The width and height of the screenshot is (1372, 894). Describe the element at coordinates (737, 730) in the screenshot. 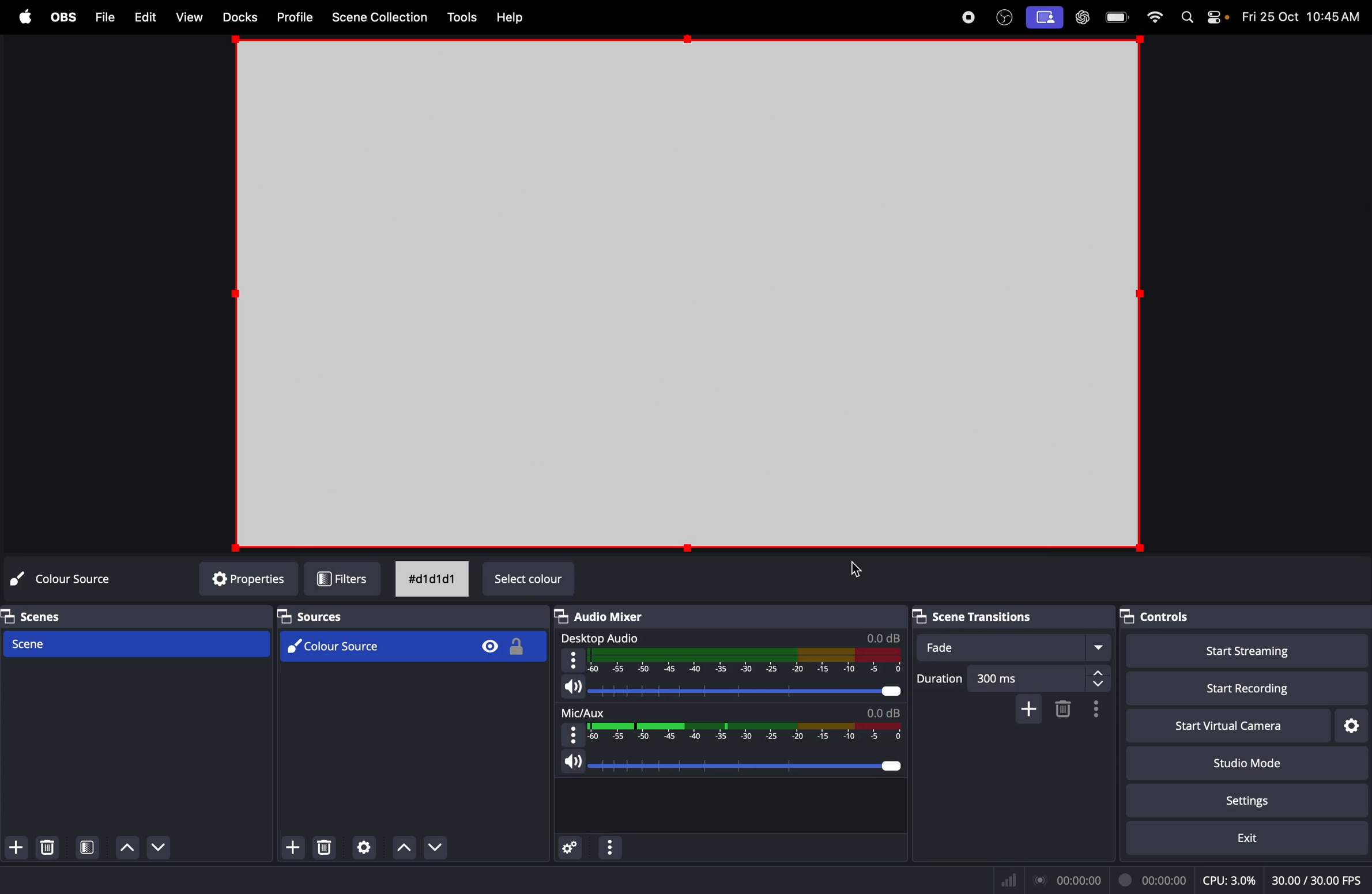

I see `range select` at that location.